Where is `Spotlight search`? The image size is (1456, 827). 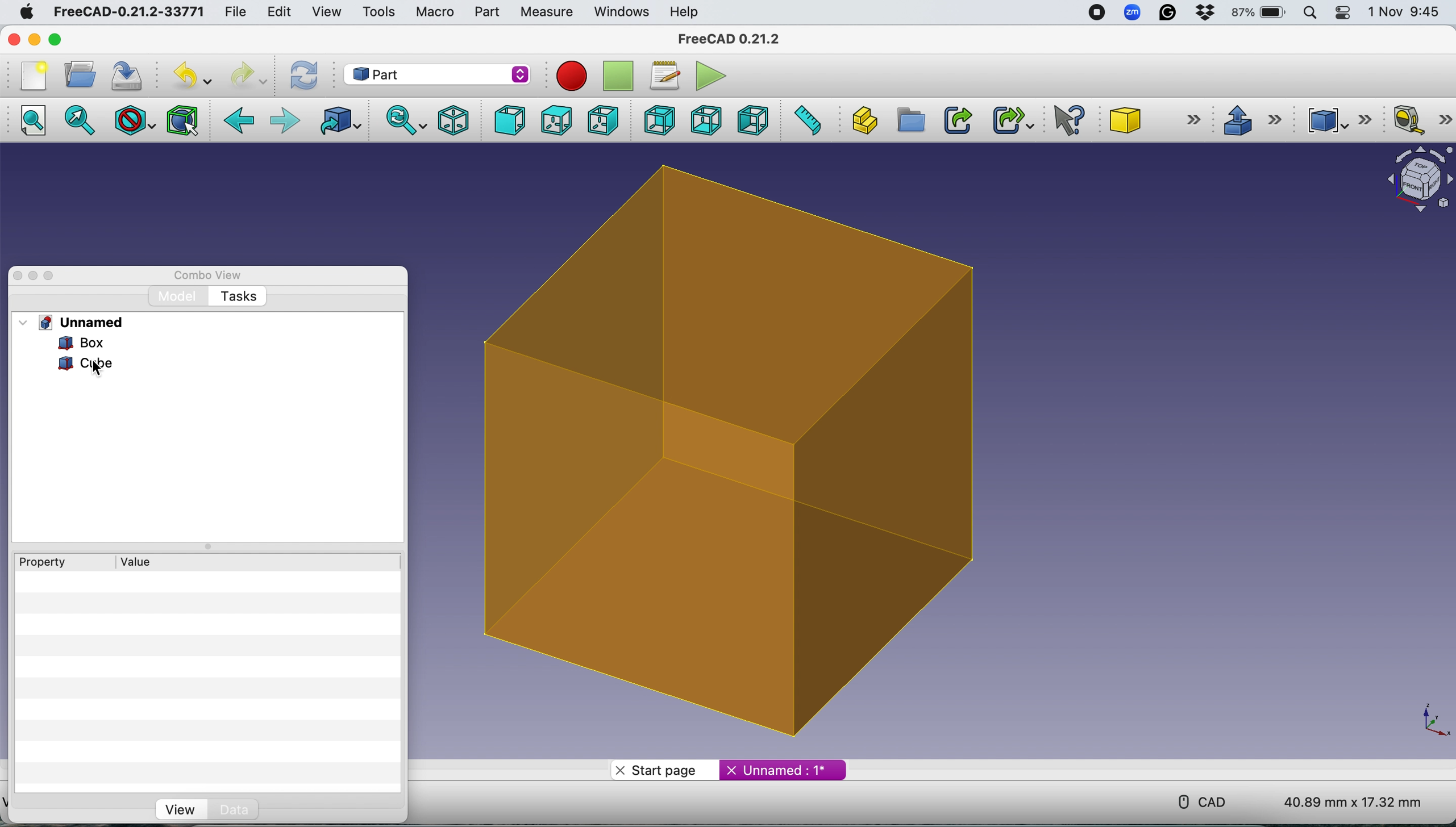 Spotlight search is located at coordinates (1313, 12).